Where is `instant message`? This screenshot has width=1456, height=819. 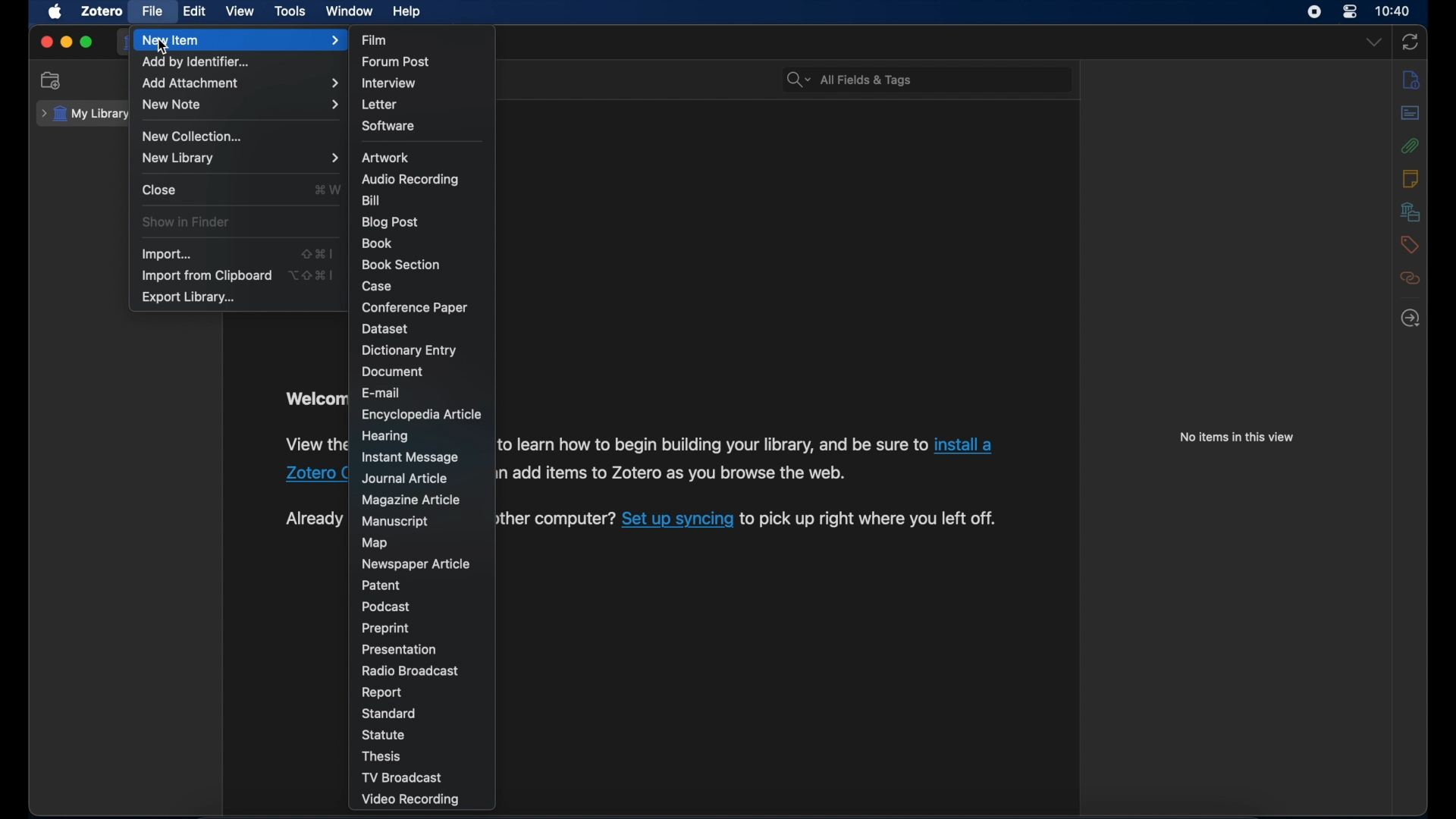
instant message is located at coordinates (411, 458).